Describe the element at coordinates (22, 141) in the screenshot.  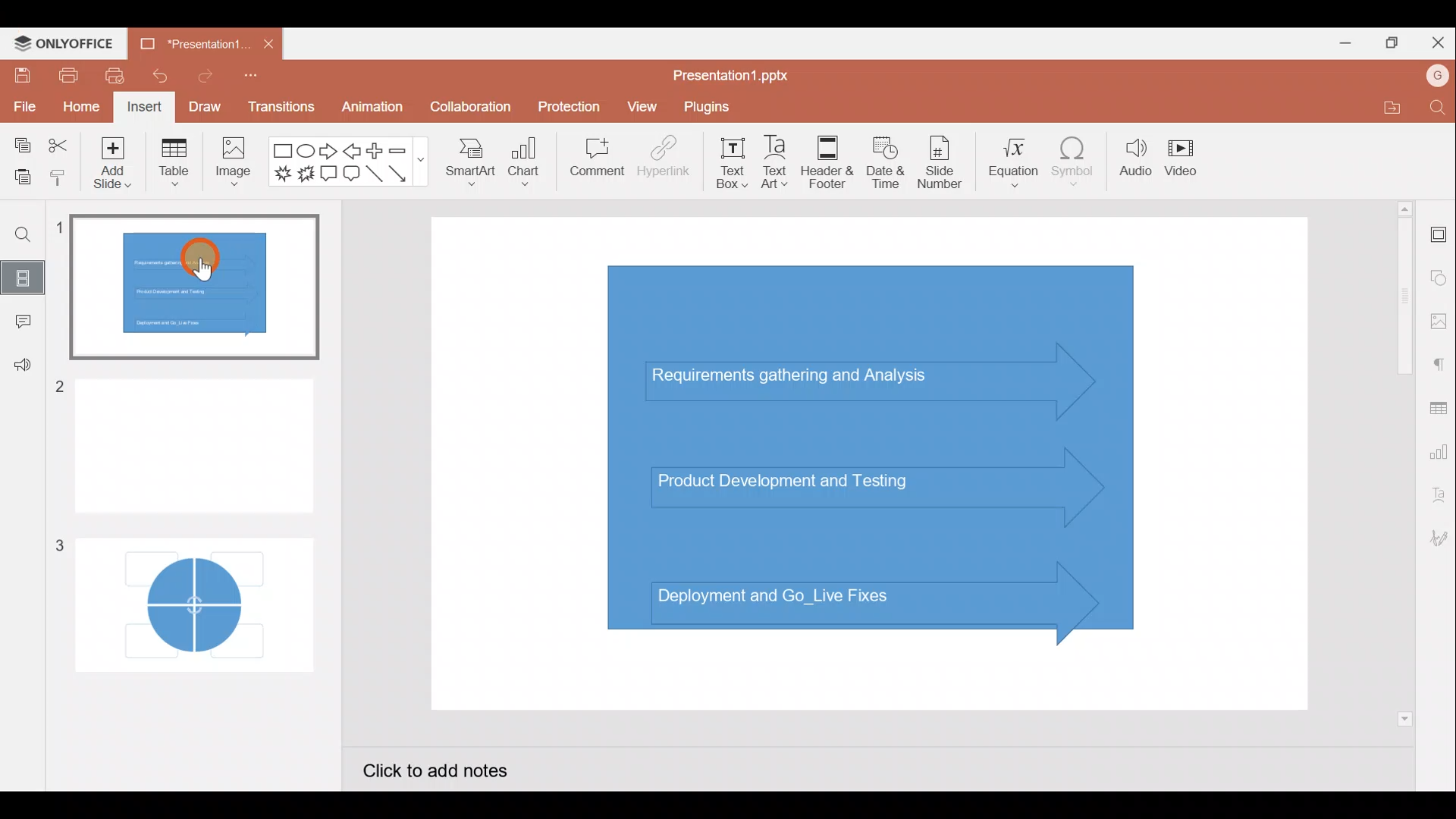
I see `Copy` at that location.